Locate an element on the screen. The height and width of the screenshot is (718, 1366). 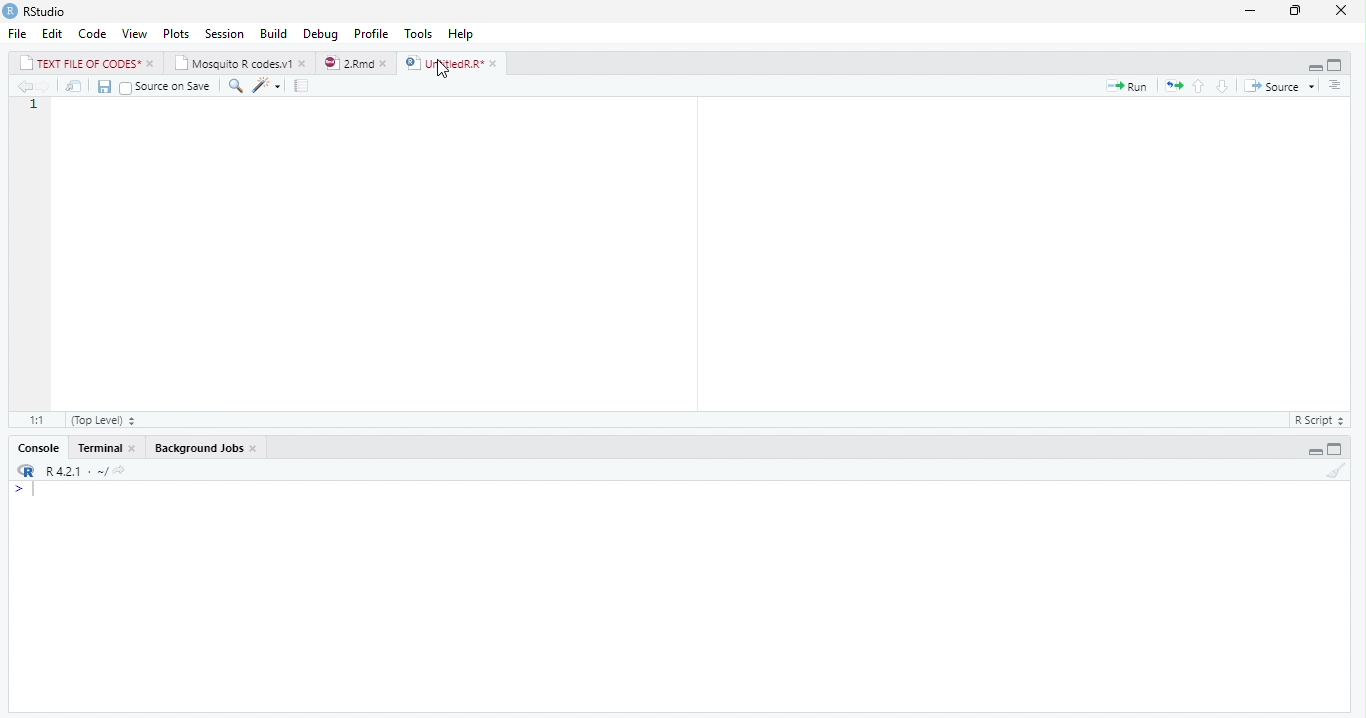
Debug is located at coordinates (321, 33).